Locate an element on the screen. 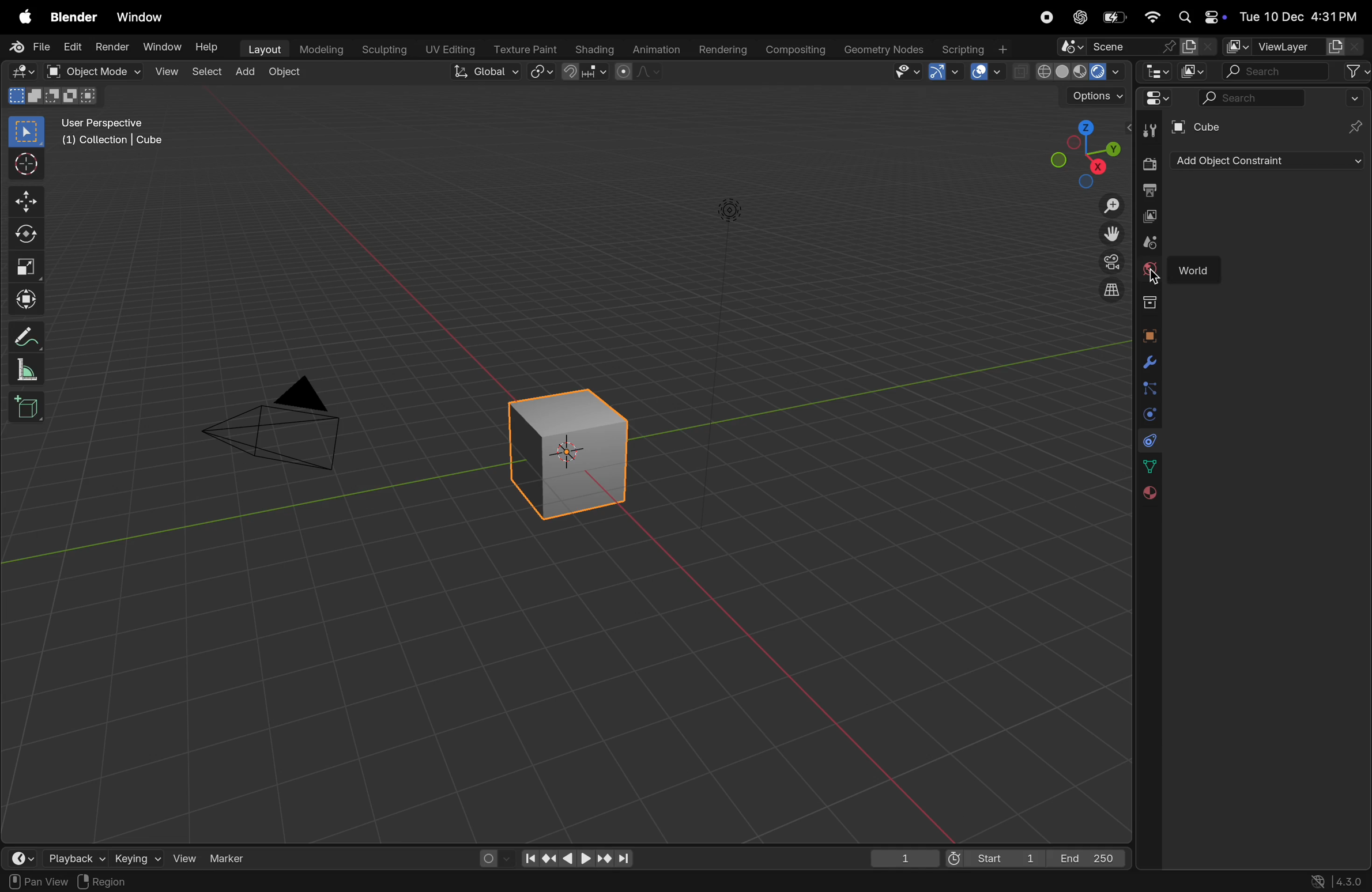 This screenshot has height=892, width=1372. view port shading is located at coordinates (1069, 71).